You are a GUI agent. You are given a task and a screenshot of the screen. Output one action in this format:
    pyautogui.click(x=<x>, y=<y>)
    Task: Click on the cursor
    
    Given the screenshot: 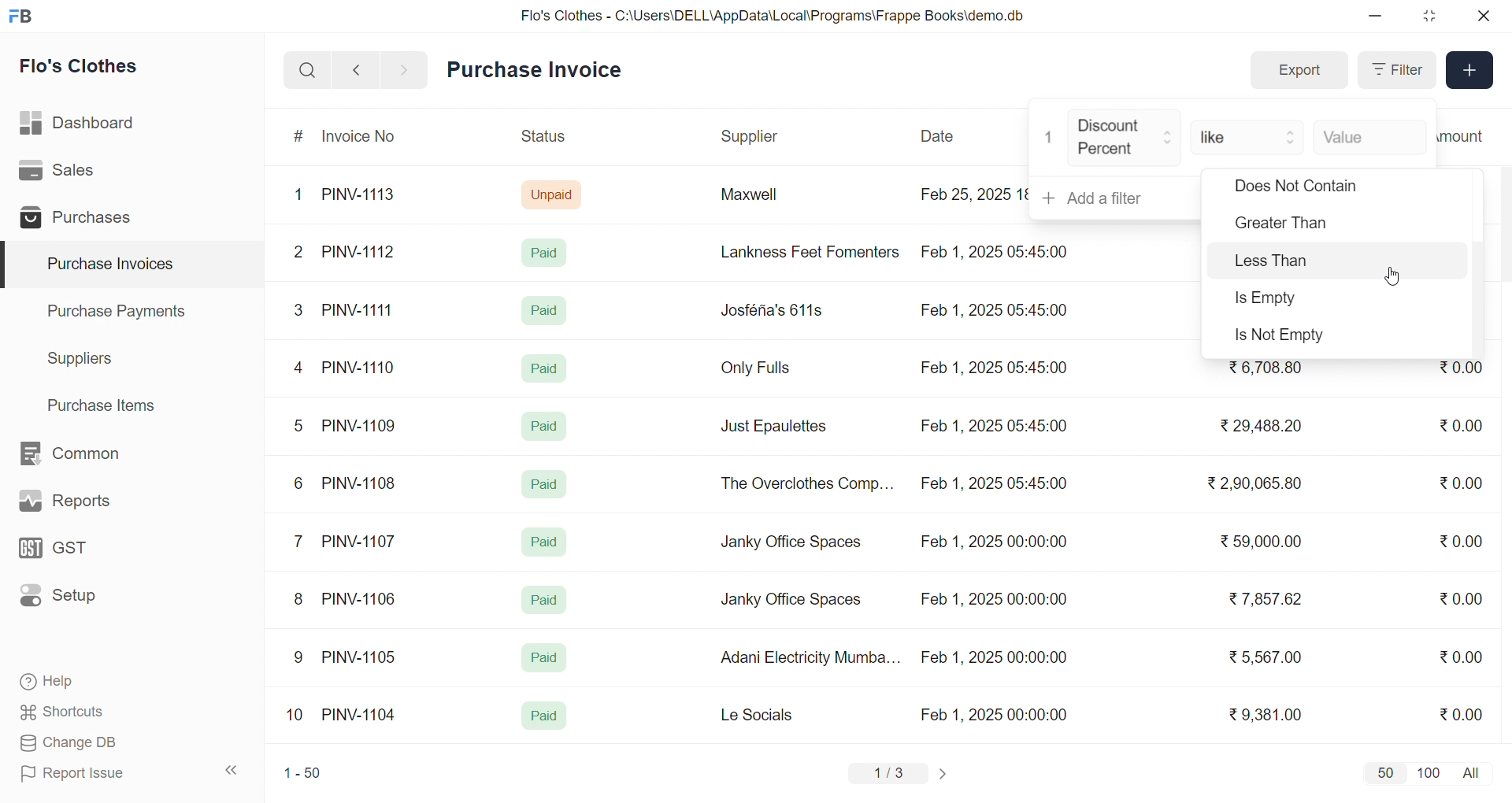 What is the action you would take?
    pyautogui.click(x=1397, y=276)
    